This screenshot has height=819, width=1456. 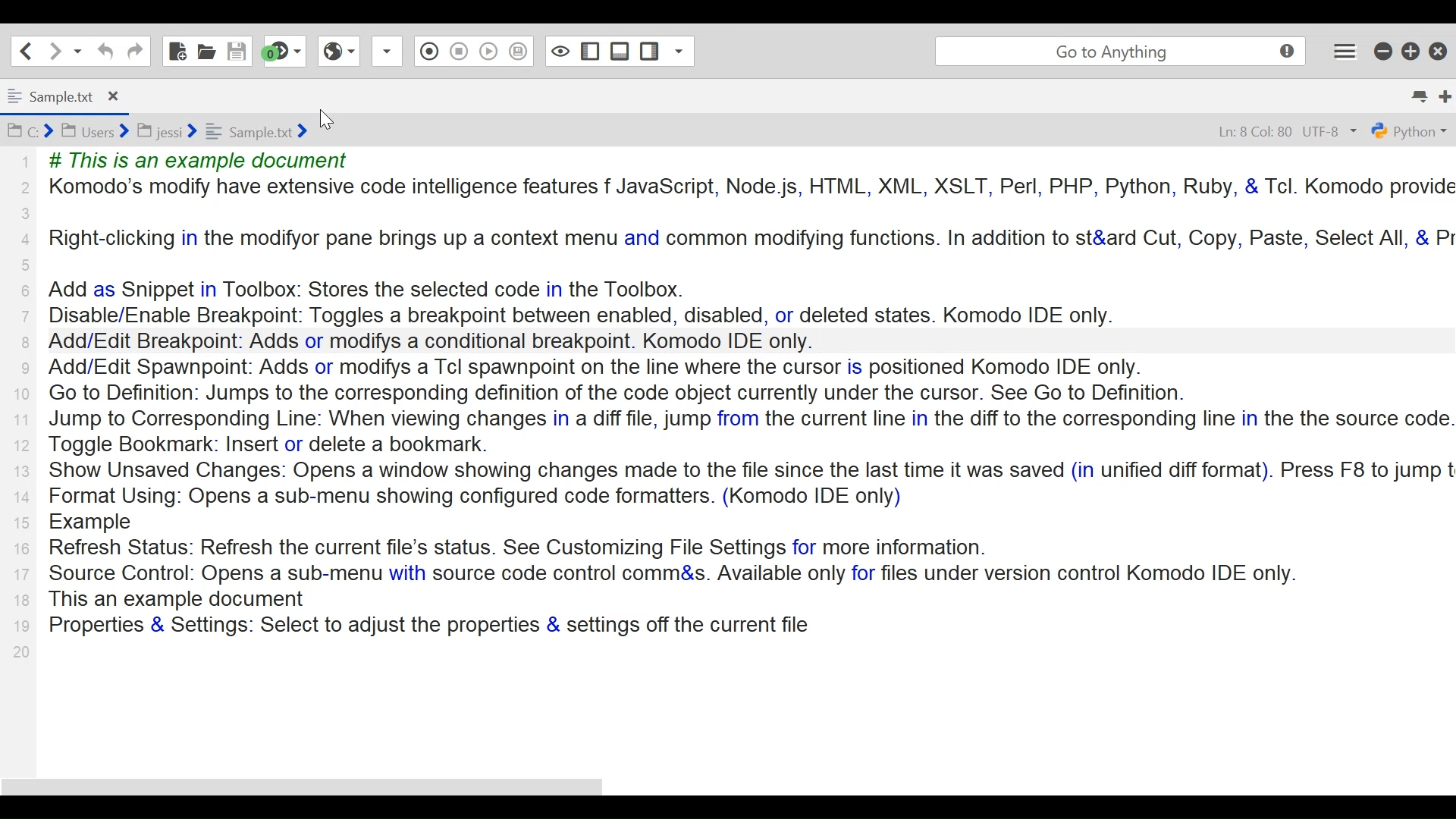 What do you see at coordinates (337, 51) in the screenshot?
I see `View in Browser` at bounding box center [337, 51].